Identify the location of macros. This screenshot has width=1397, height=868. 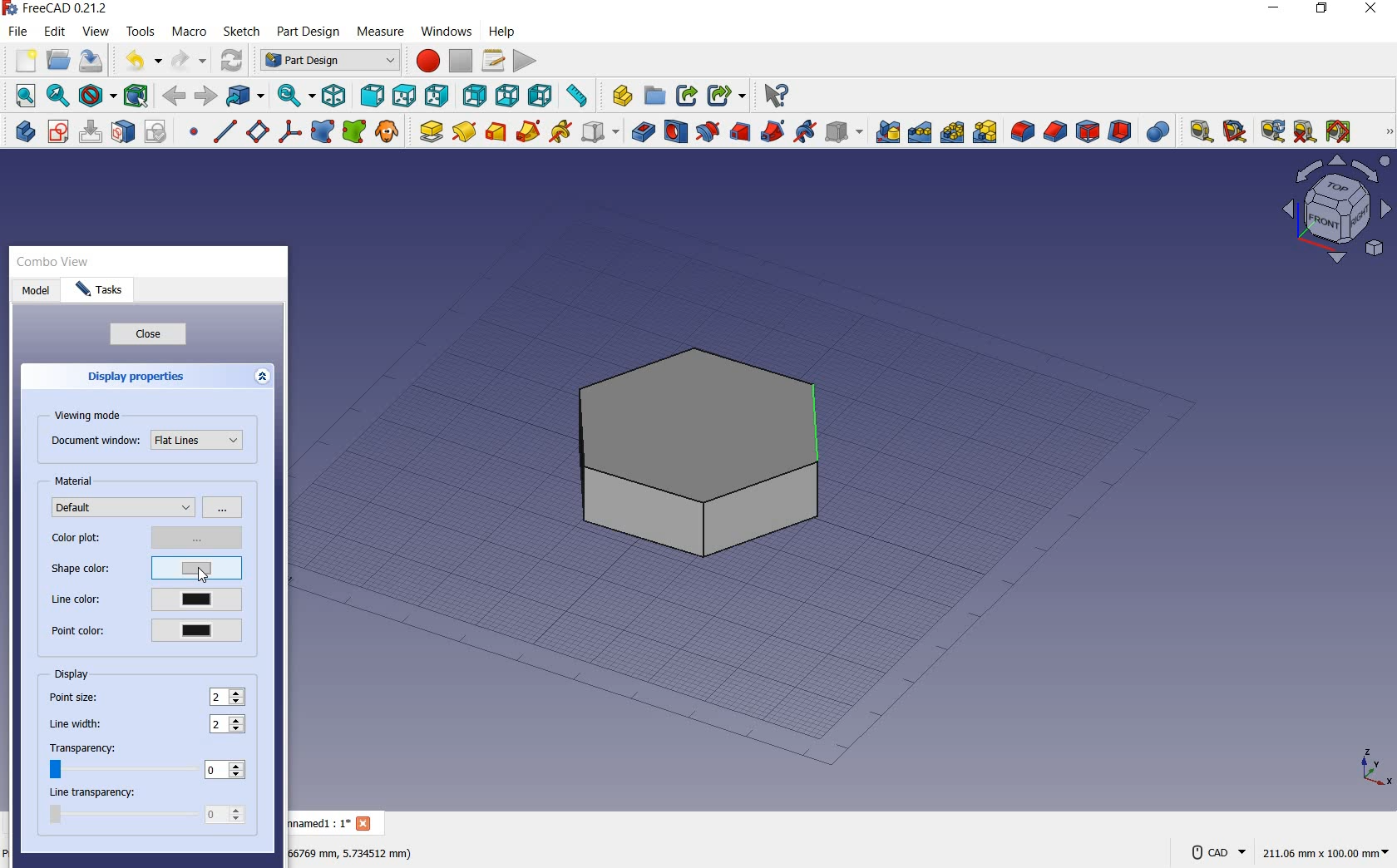
(492, 61).